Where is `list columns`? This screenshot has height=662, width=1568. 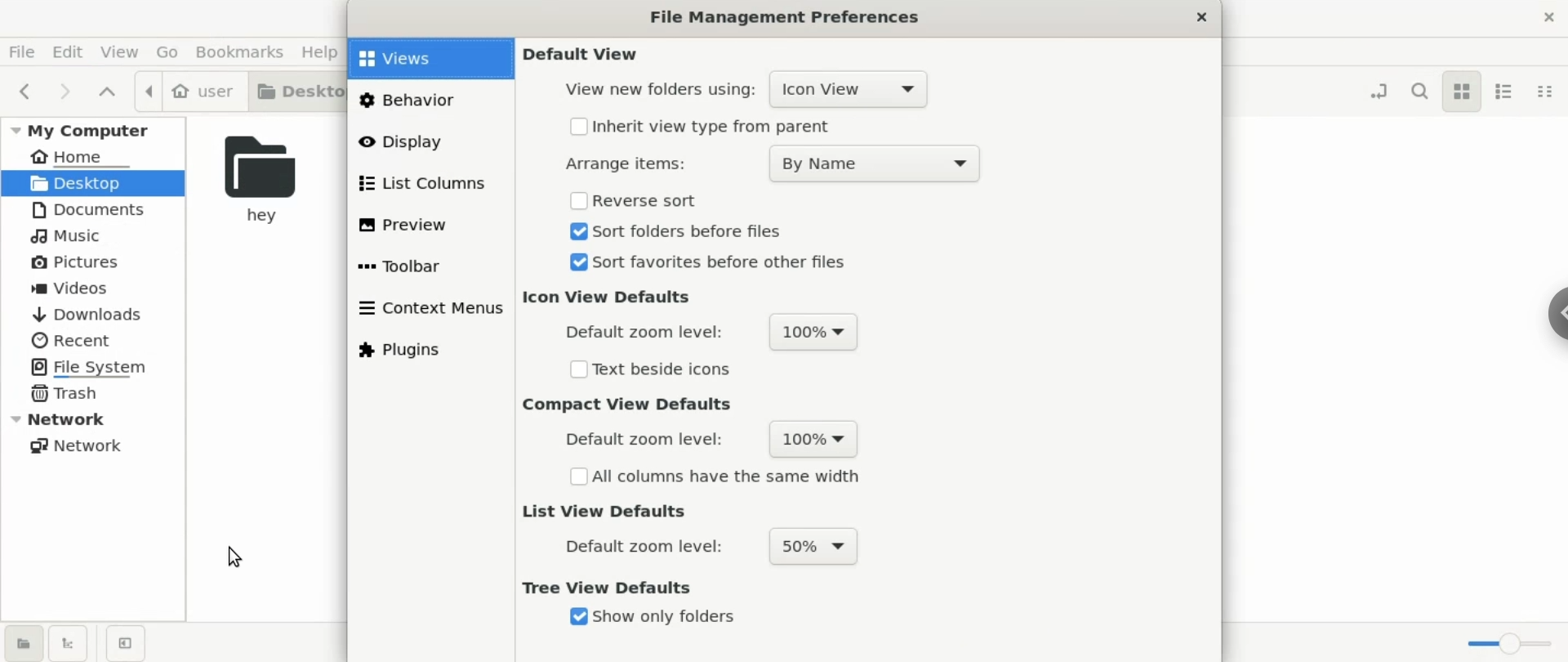
list columns is located at coordinates (420, 185).